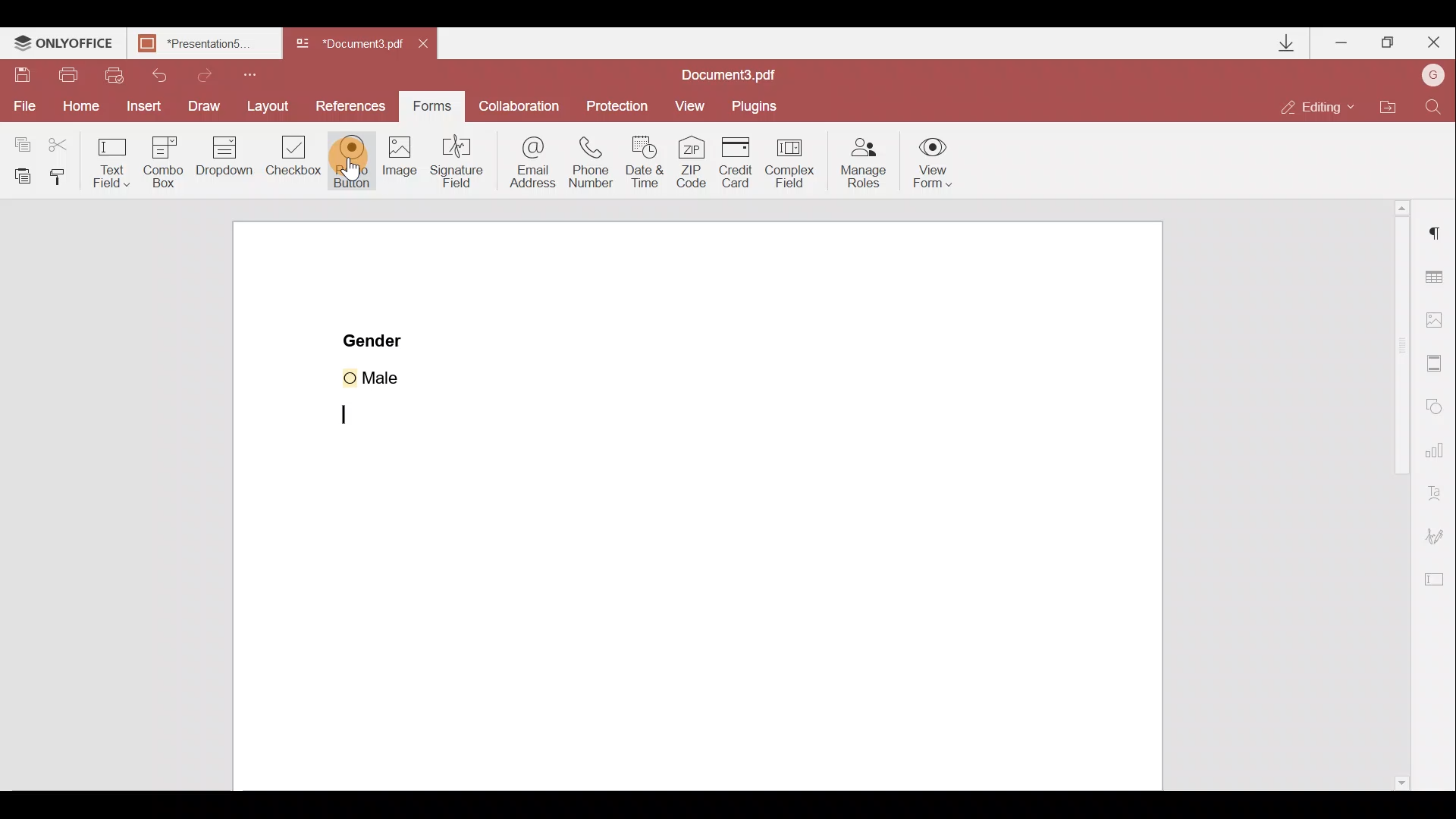 The image size is (1456, 819). Describe the element at coordinates (77, 108) in the screenshot. I see `Home` at that location.